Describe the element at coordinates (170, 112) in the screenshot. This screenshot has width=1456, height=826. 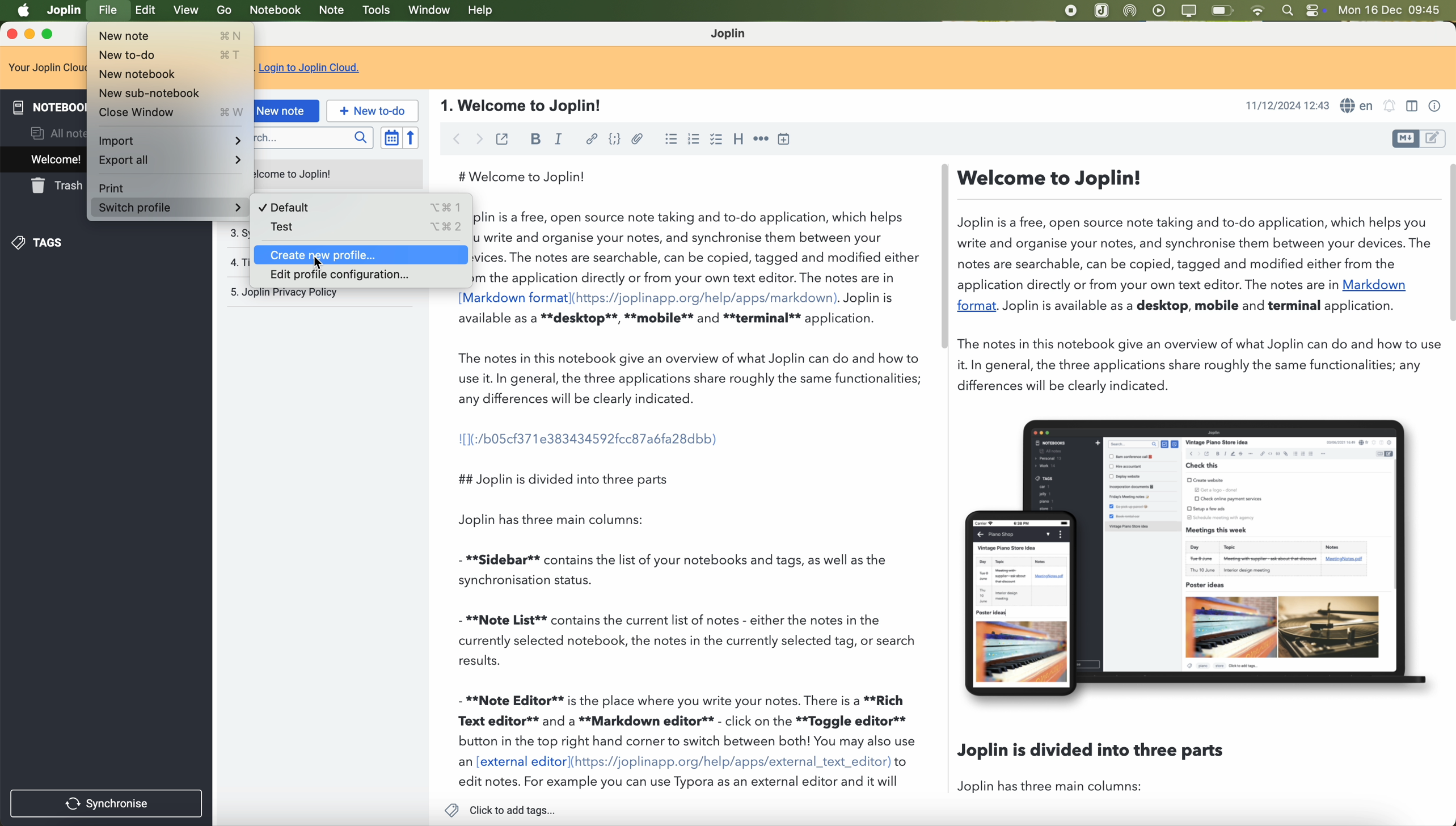
I see `Close Window` at that location.